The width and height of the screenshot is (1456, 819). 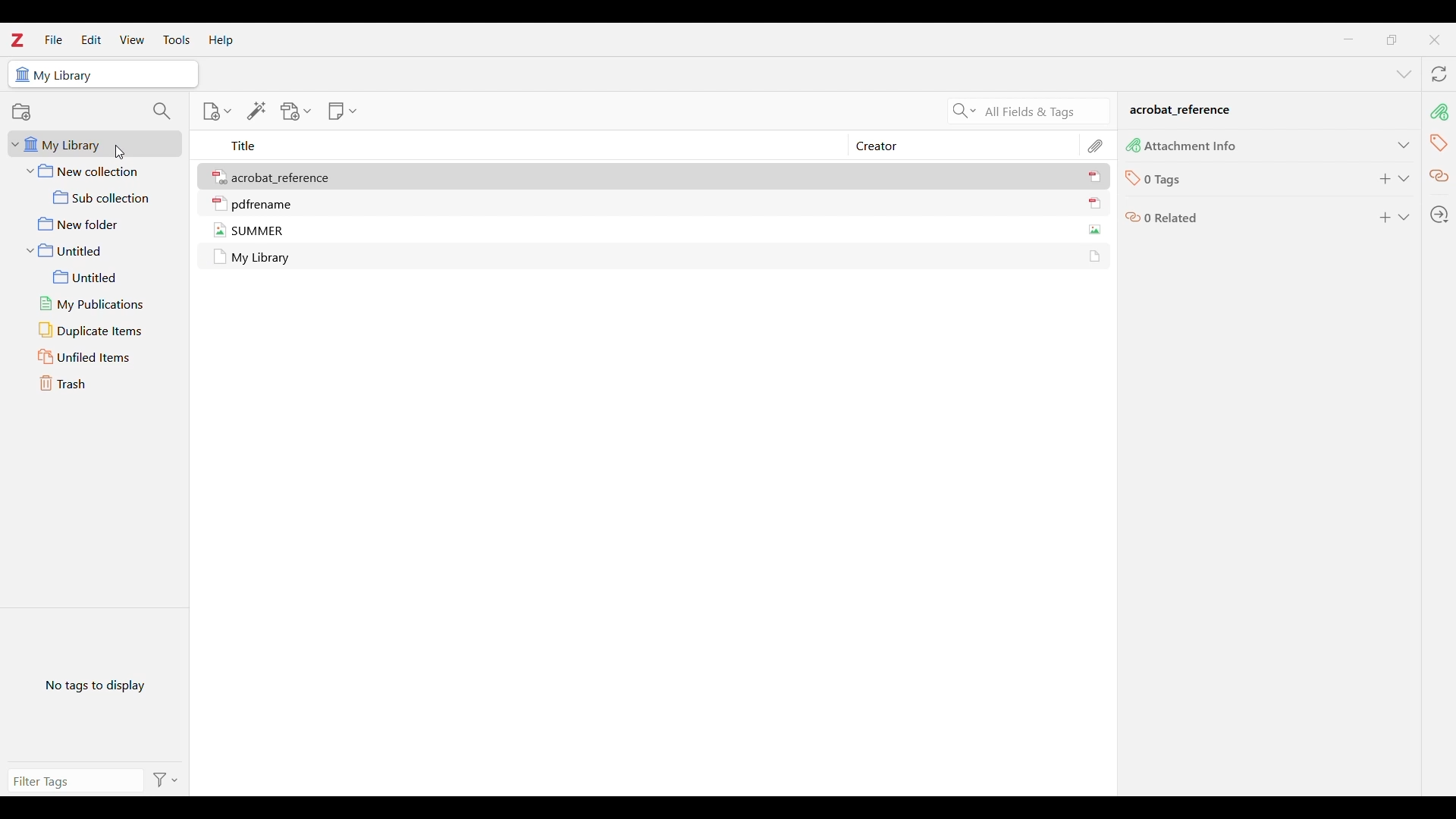 What do you see at coordinates (965, 111) in the screenshot?
I see `Search criteria options` at bounding box center [965, 111].